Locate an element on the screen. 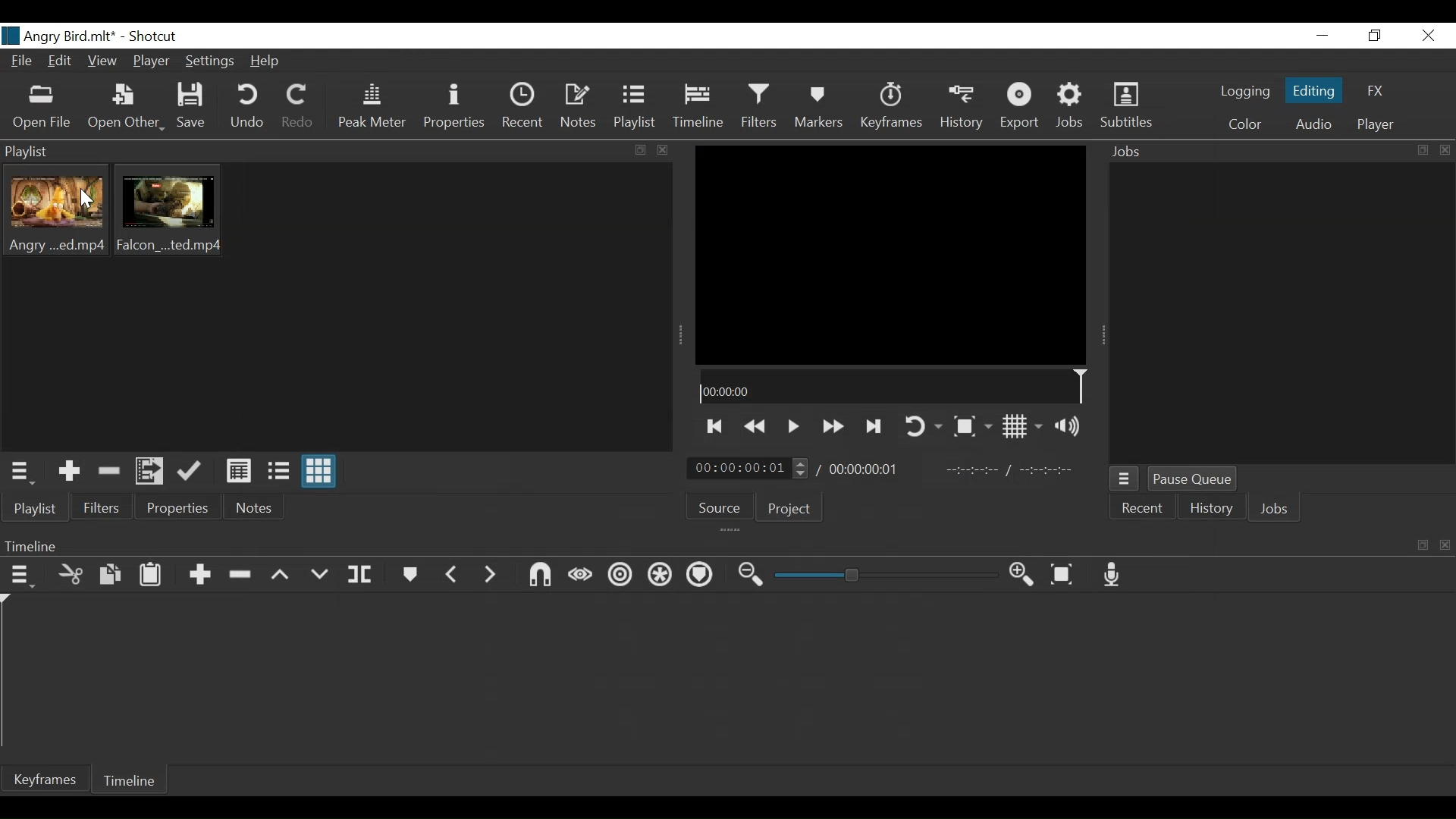 The image size is (1456, 819). Zoom timeline to fit is located at coordinates (1063, 574).